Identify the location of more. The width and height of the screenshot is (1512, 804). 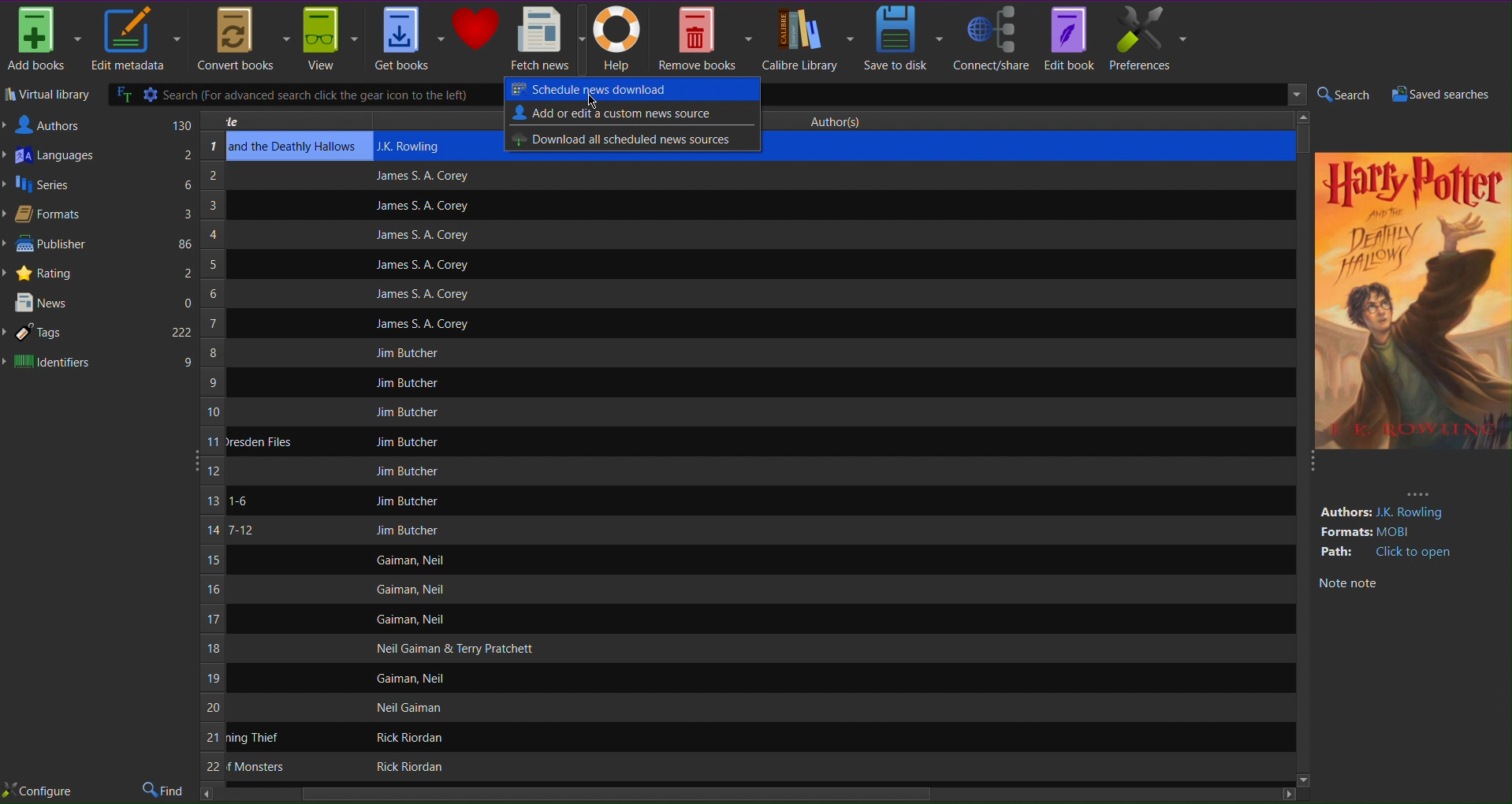
(1418, 493).